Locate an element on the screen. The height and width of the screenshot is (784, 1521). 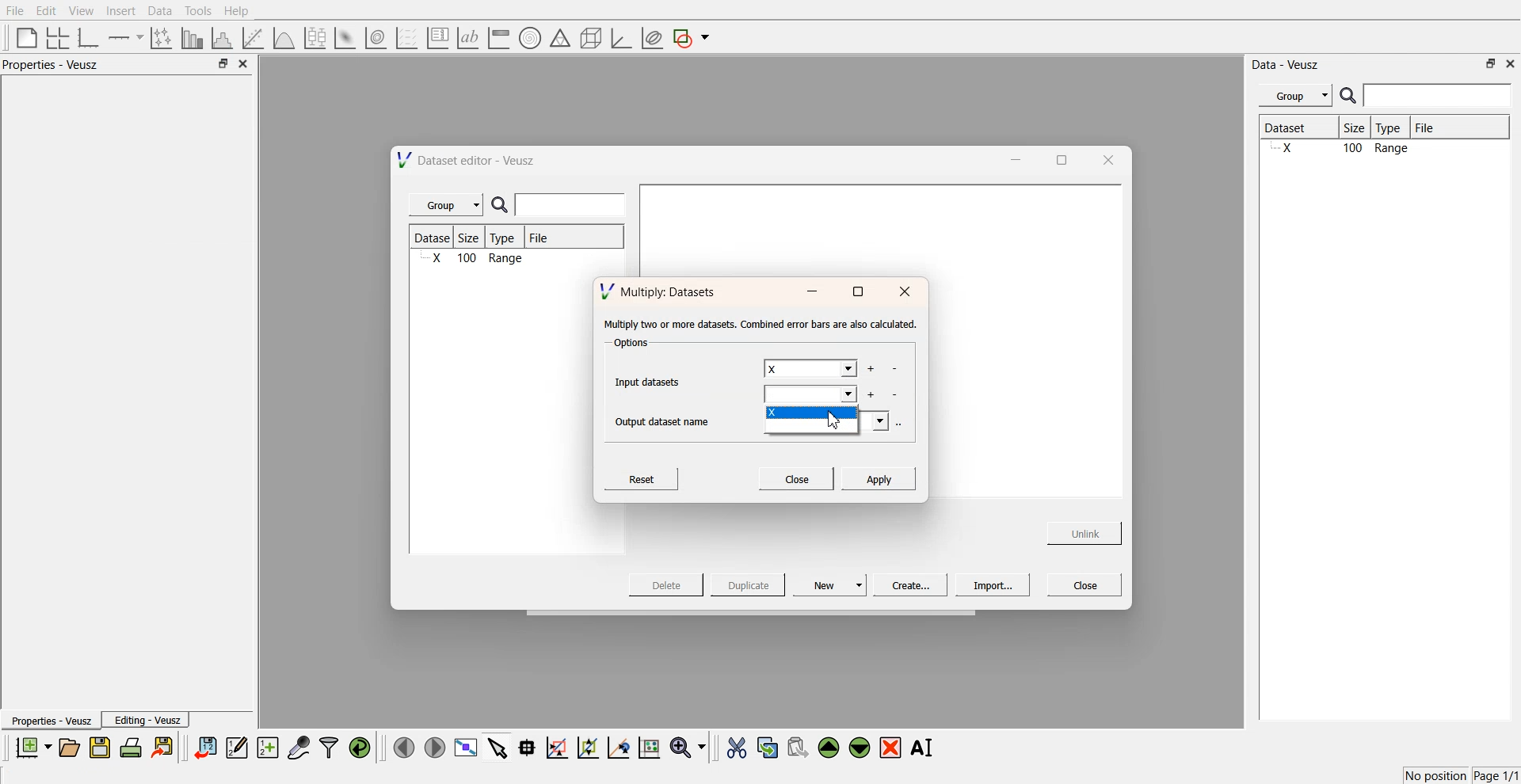
filters is located at coordinates (327, 748).